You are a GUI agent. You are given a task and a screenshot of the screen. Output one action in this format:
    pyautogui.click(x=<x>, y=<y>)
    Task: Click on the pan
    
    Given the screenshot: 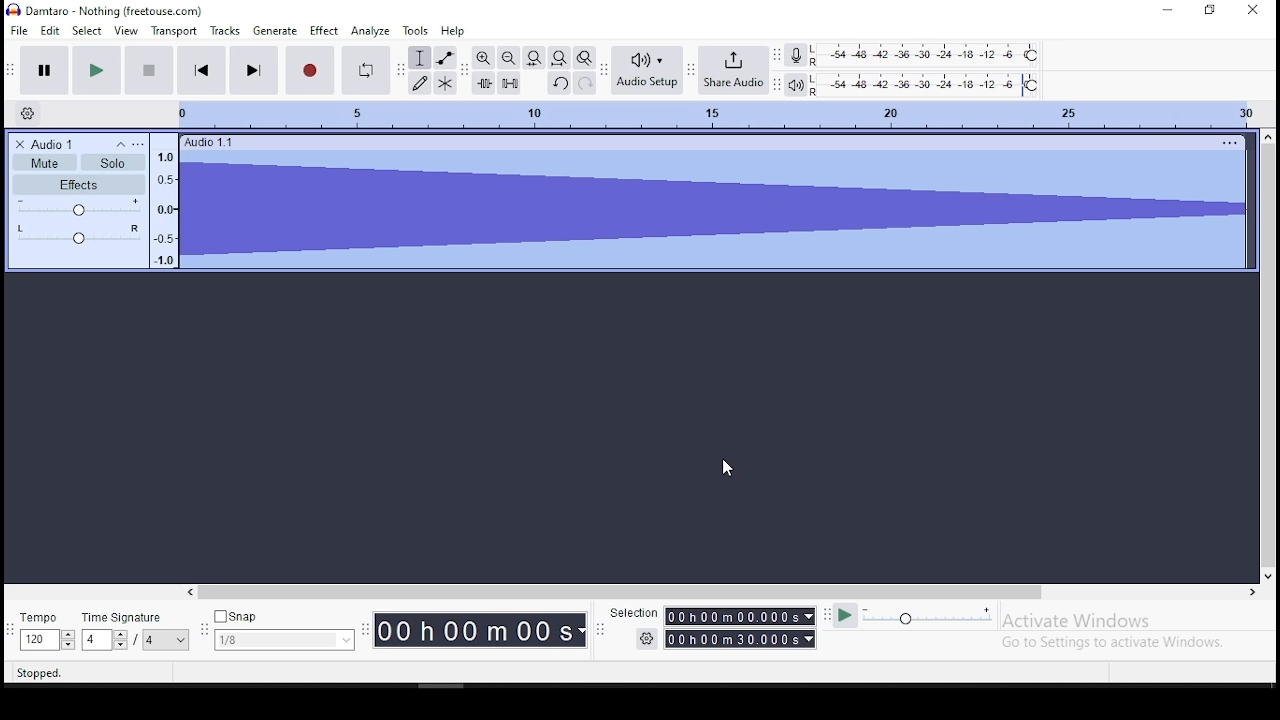 What is the action you would take?
    pyautogui.click(x=80, y=235)
    